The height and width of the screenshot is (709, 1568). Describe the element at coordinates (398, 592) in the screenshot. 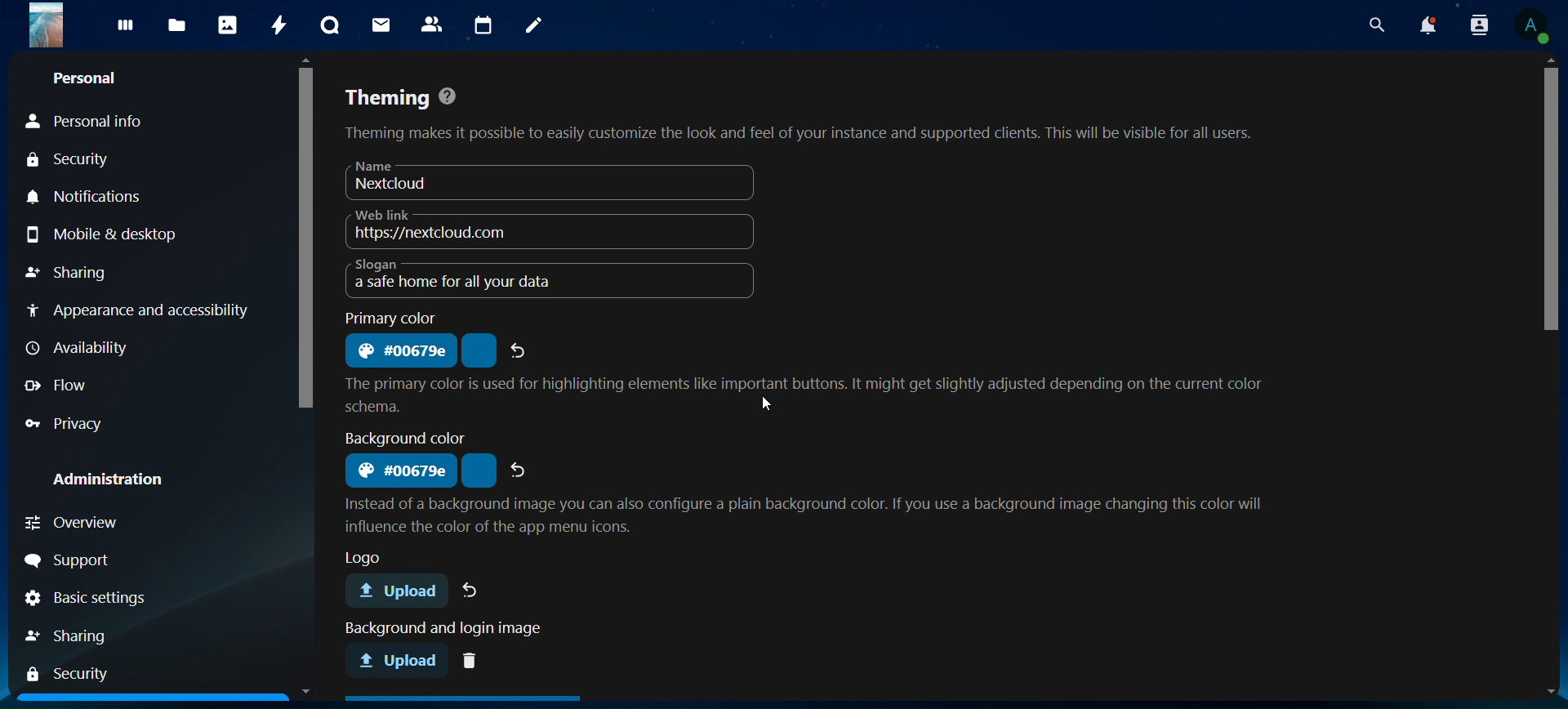

I see `logo upload` at that location.